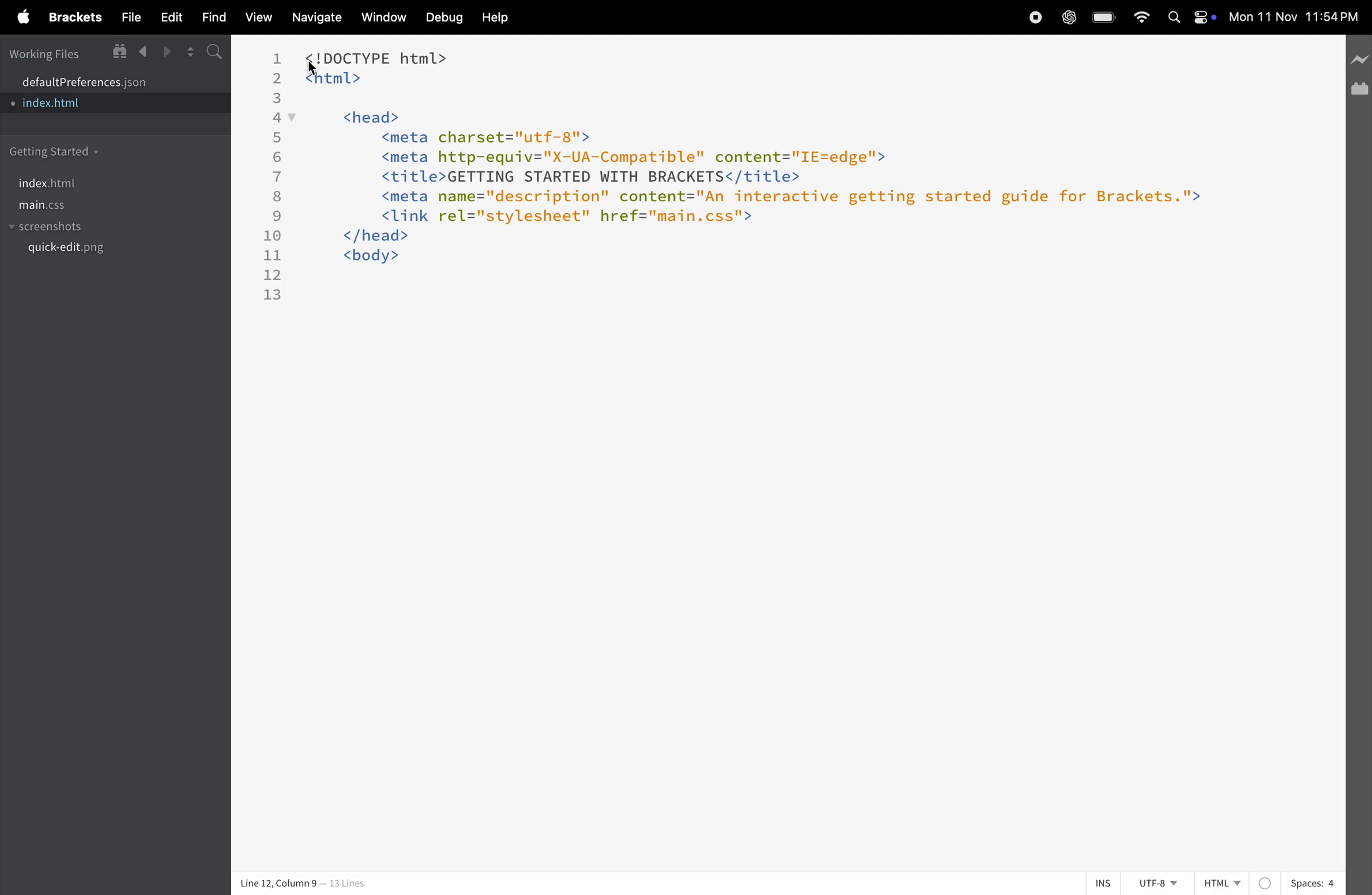  I want to click on 8, so click(278, 197).